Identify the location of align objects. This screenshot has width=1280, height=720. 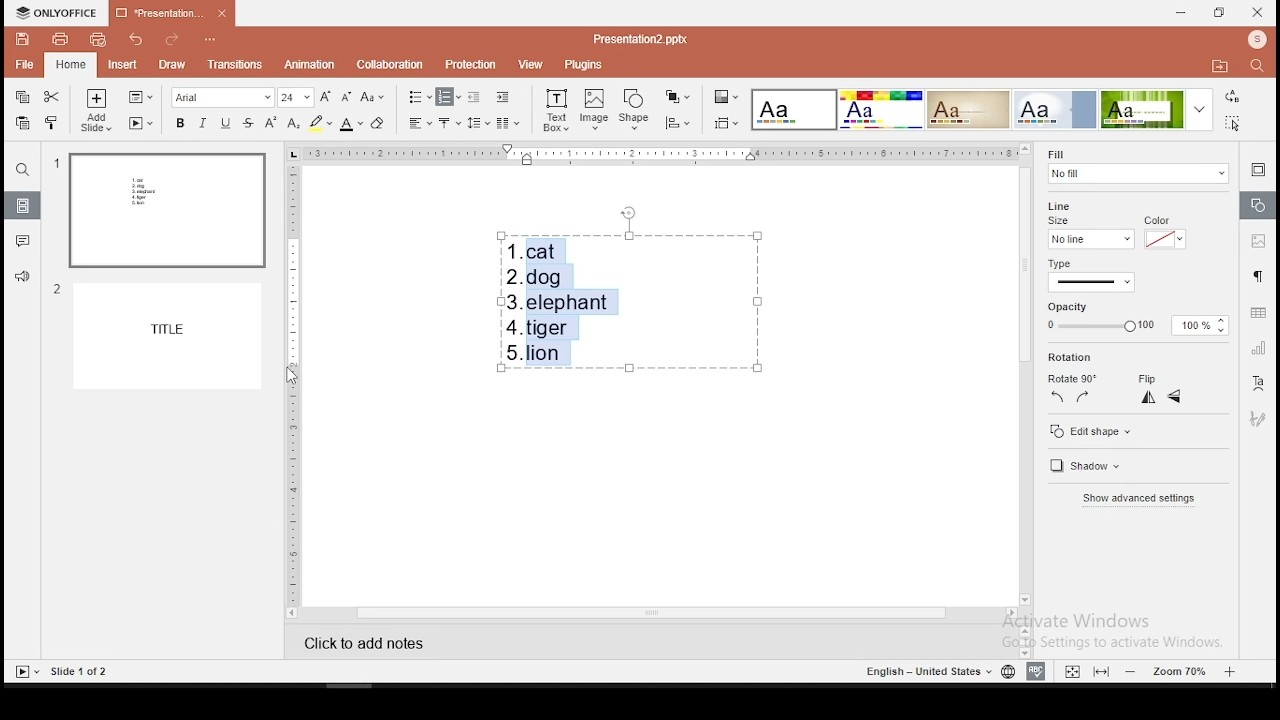
(725, 123).